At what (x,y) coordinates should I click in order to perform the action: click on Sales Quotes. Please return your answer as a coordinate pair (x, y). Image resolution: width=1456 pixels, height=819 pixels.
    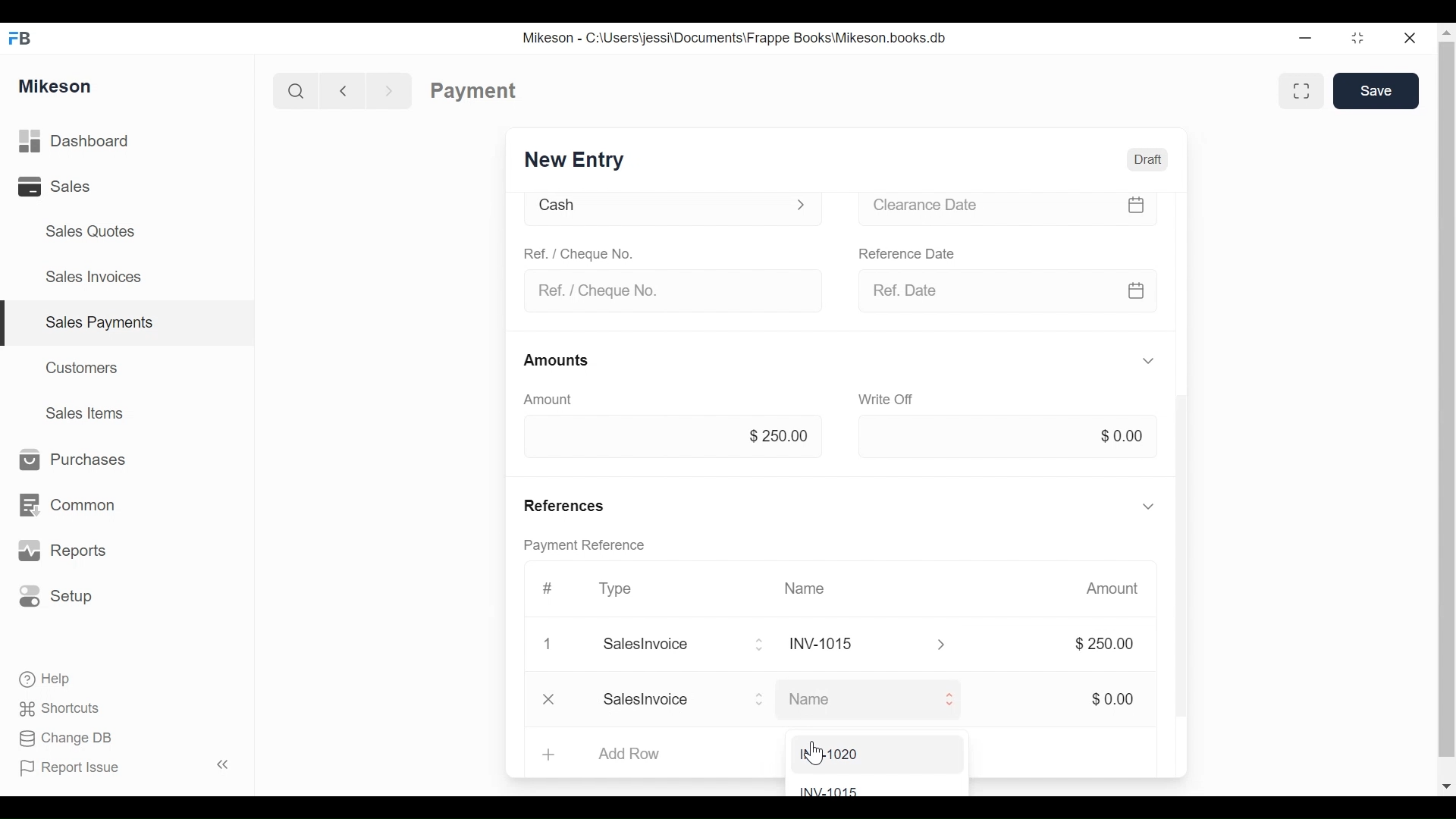
    Looking at the image, I should click on (83, 231).